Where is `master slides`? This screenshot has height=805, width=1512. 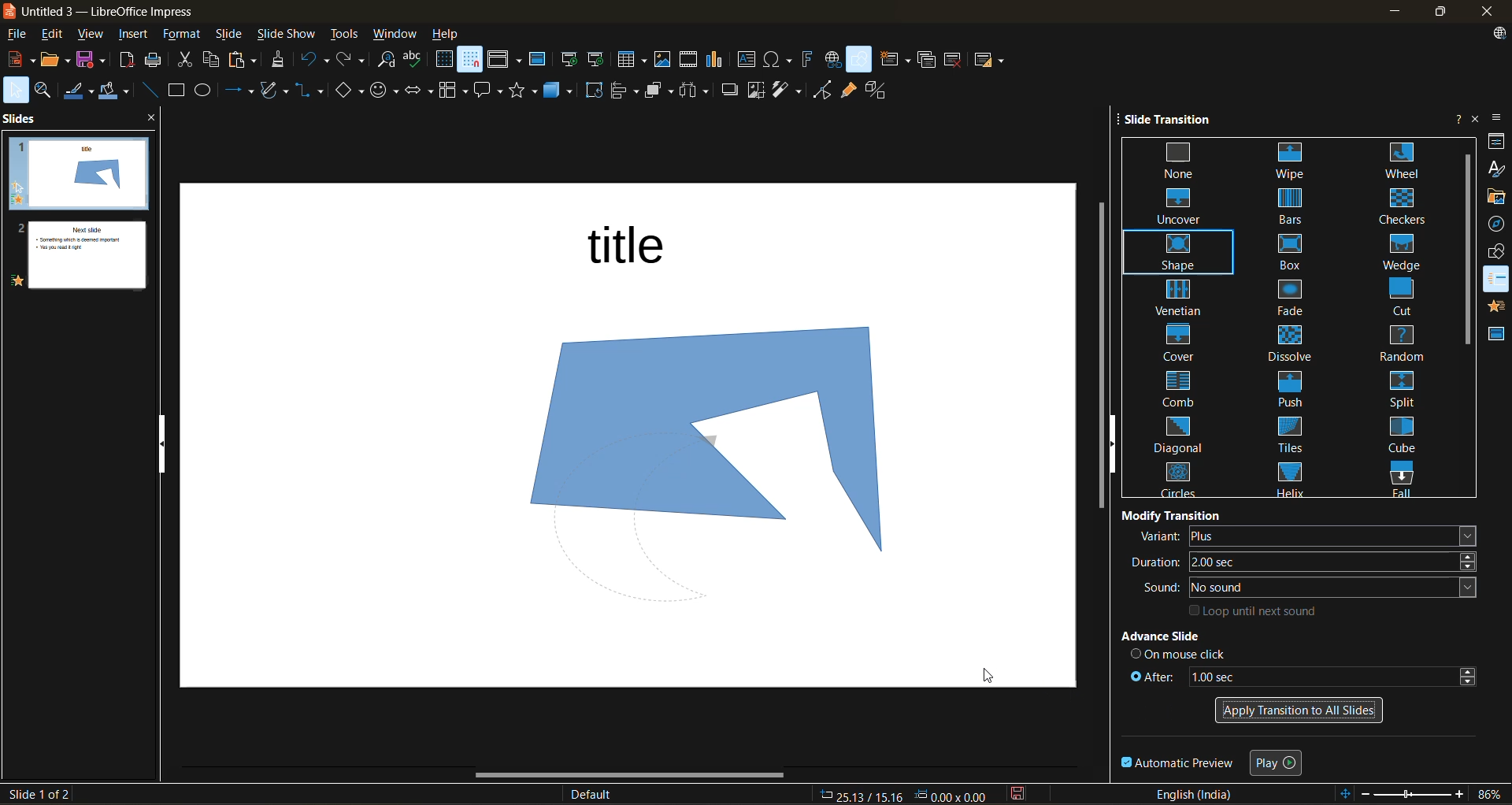 master slides is located at coordinates (1497, 338).